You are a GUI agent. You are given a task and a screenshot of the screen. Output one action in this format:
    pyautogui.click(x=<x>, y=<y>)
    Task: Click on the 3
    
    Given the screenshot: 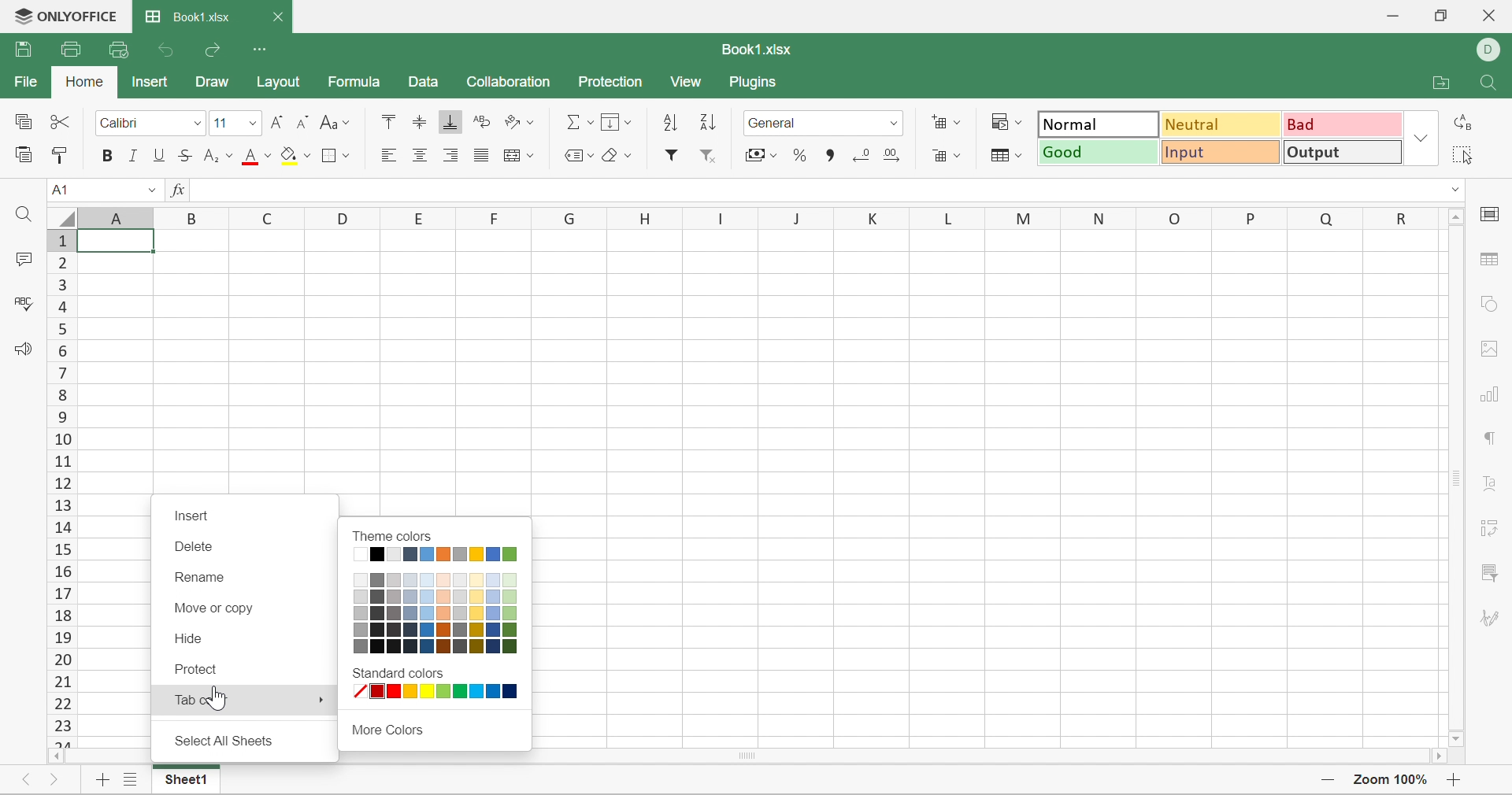 What is the action you would take?
    pyautogui.click(x=62, y=284)
    